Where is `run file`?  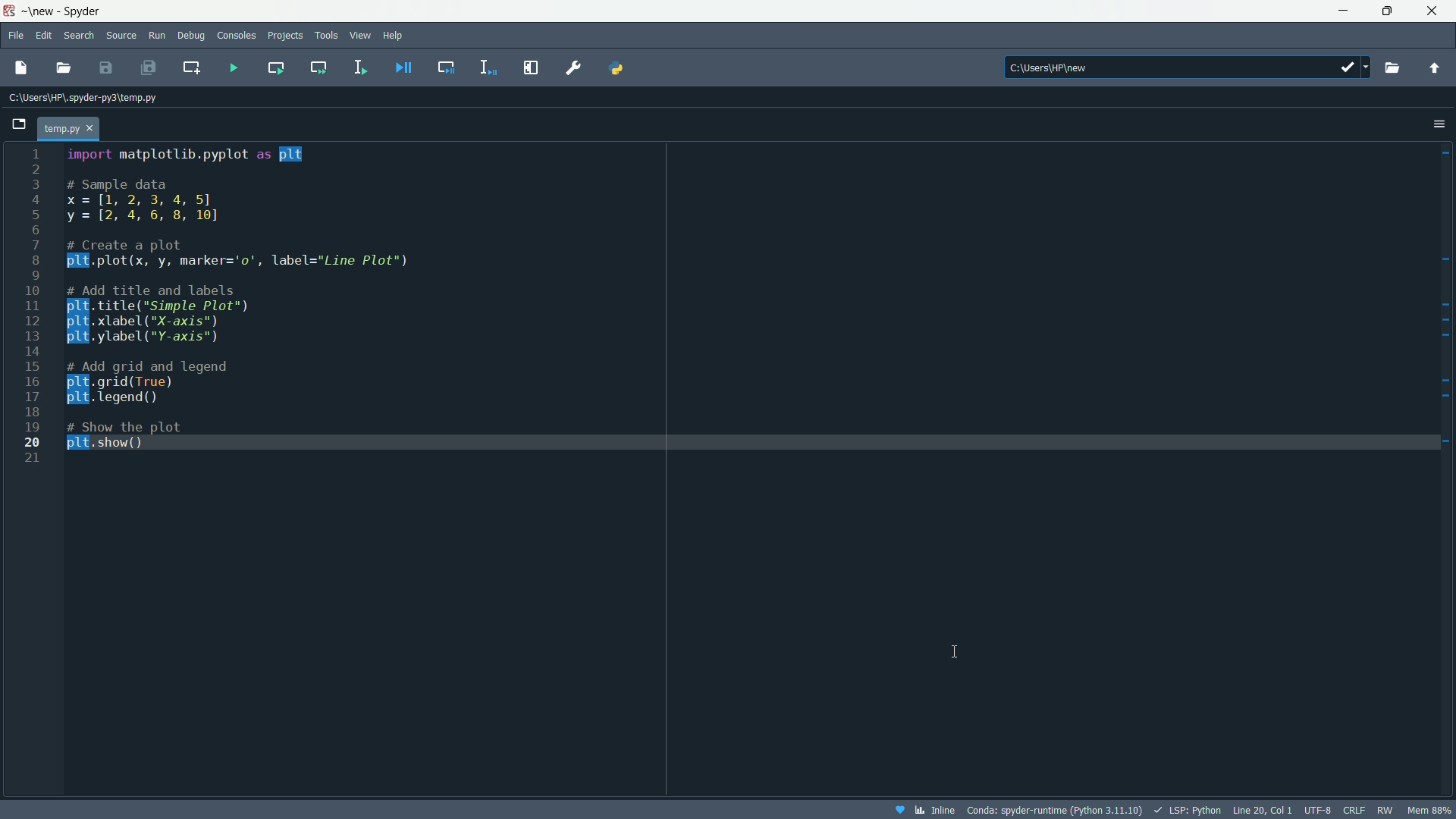
run file is located at coordinates (234, 68).